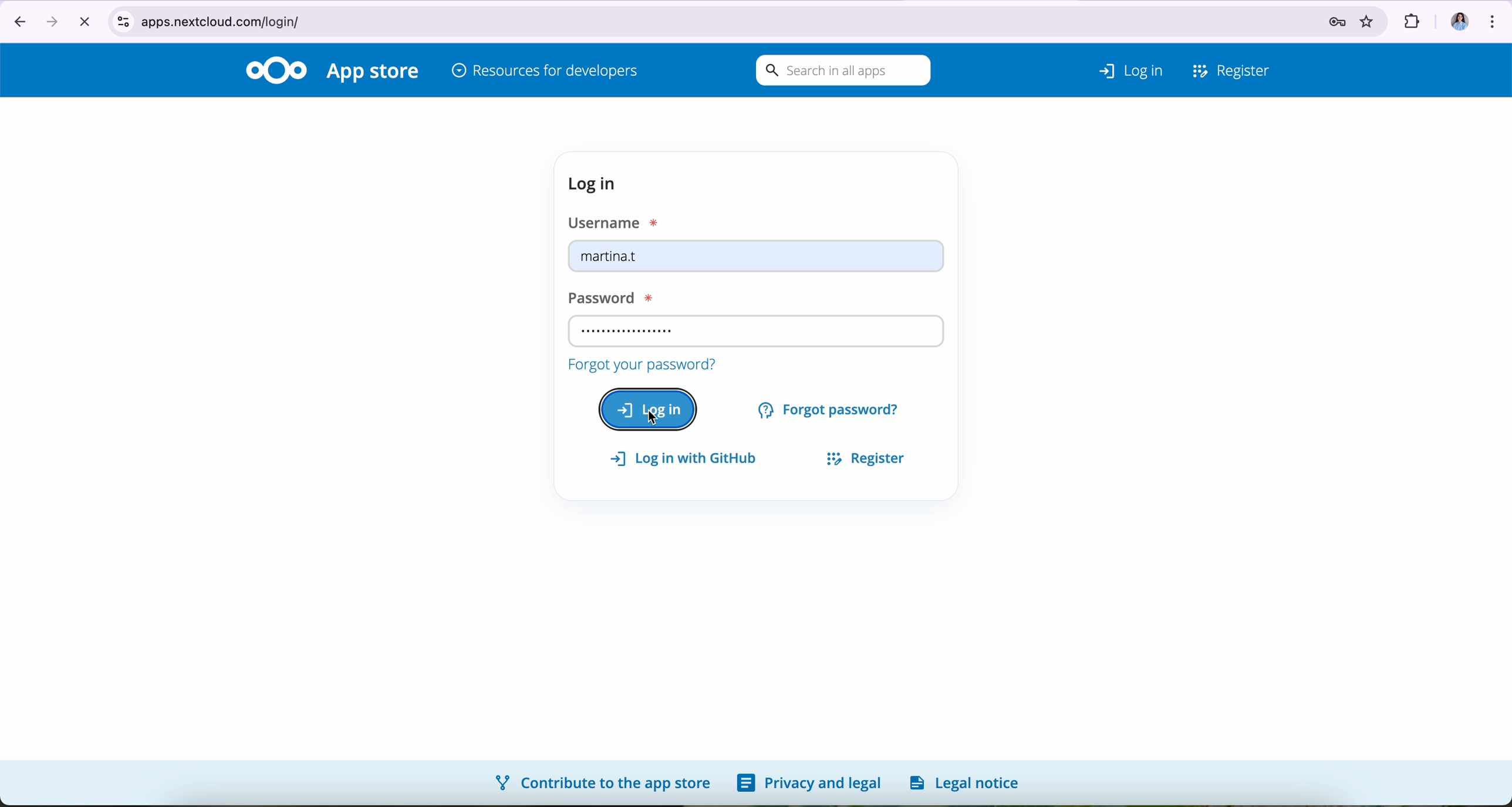 The width and height of the screenshot is (1512, 807). What do you see at coordinates (276, 69) in the screenshot?
I see `Nextcloud logo` at bounding box center [276, 69].